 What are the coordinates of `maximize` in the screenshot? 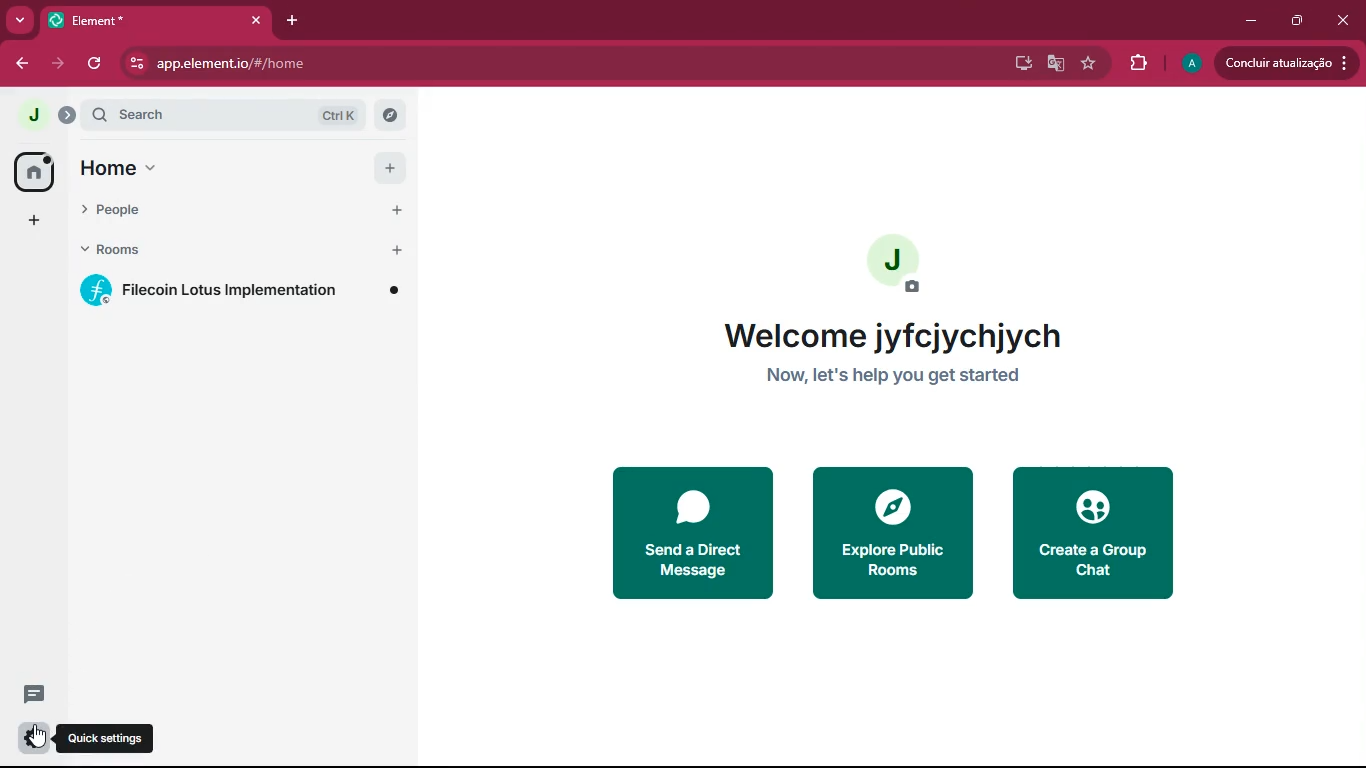 It's located at (1300, 22).